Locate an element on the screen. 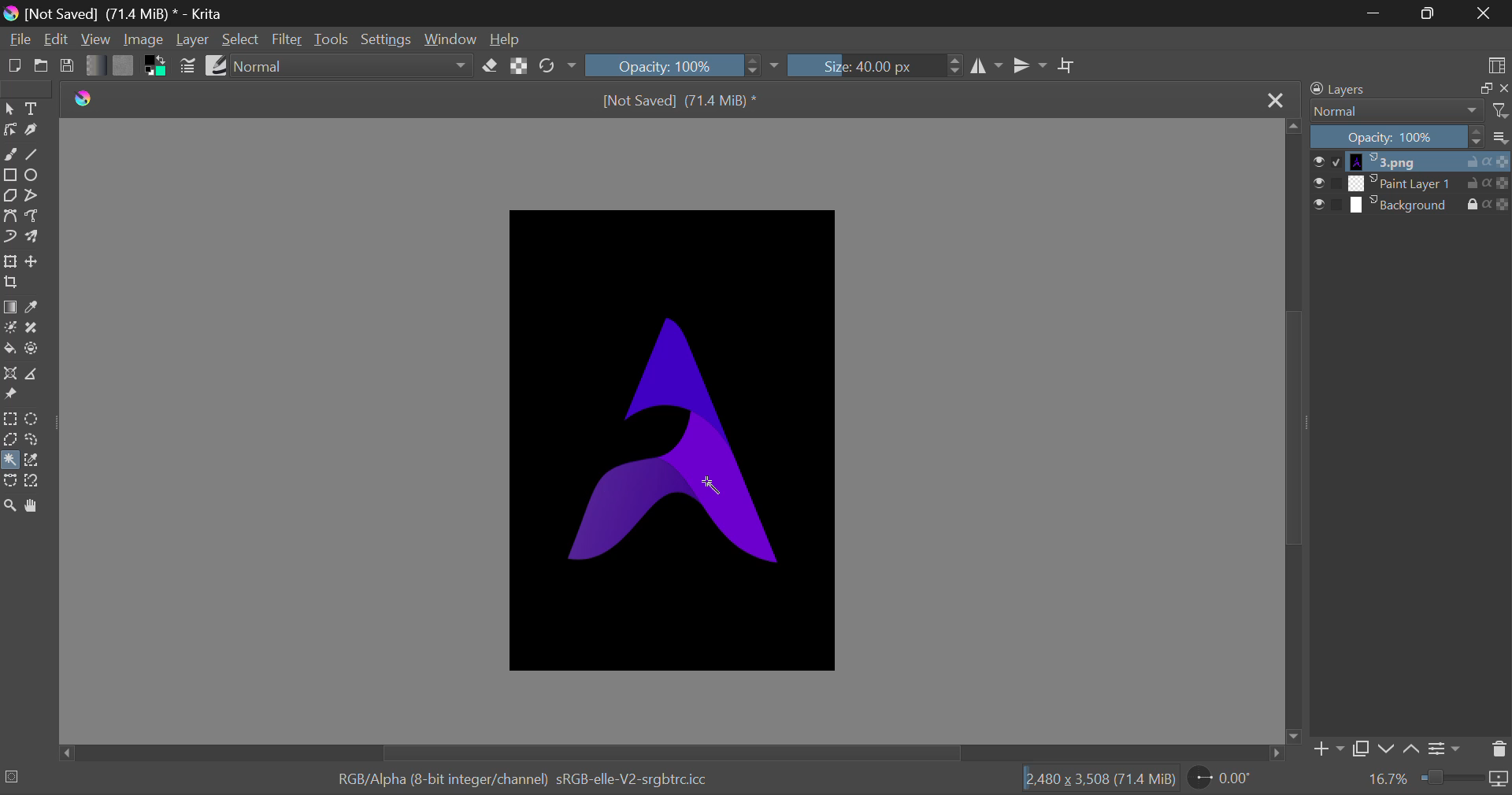 The width and height of the screenshot is (1512, 795). Edit is located at coordinates (58, 39).